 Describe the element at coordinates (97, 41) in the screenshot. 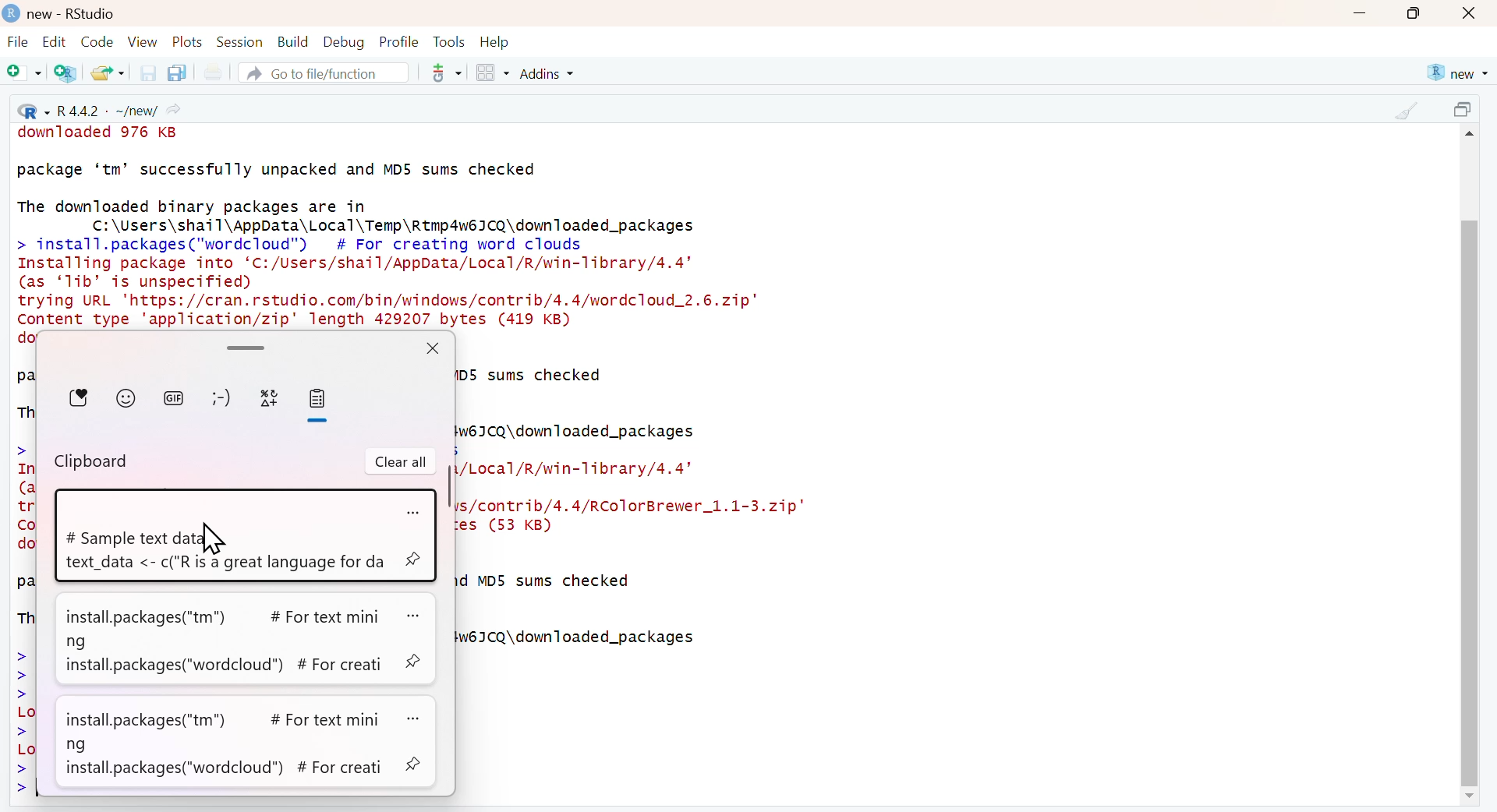

I see `Code` at that location.